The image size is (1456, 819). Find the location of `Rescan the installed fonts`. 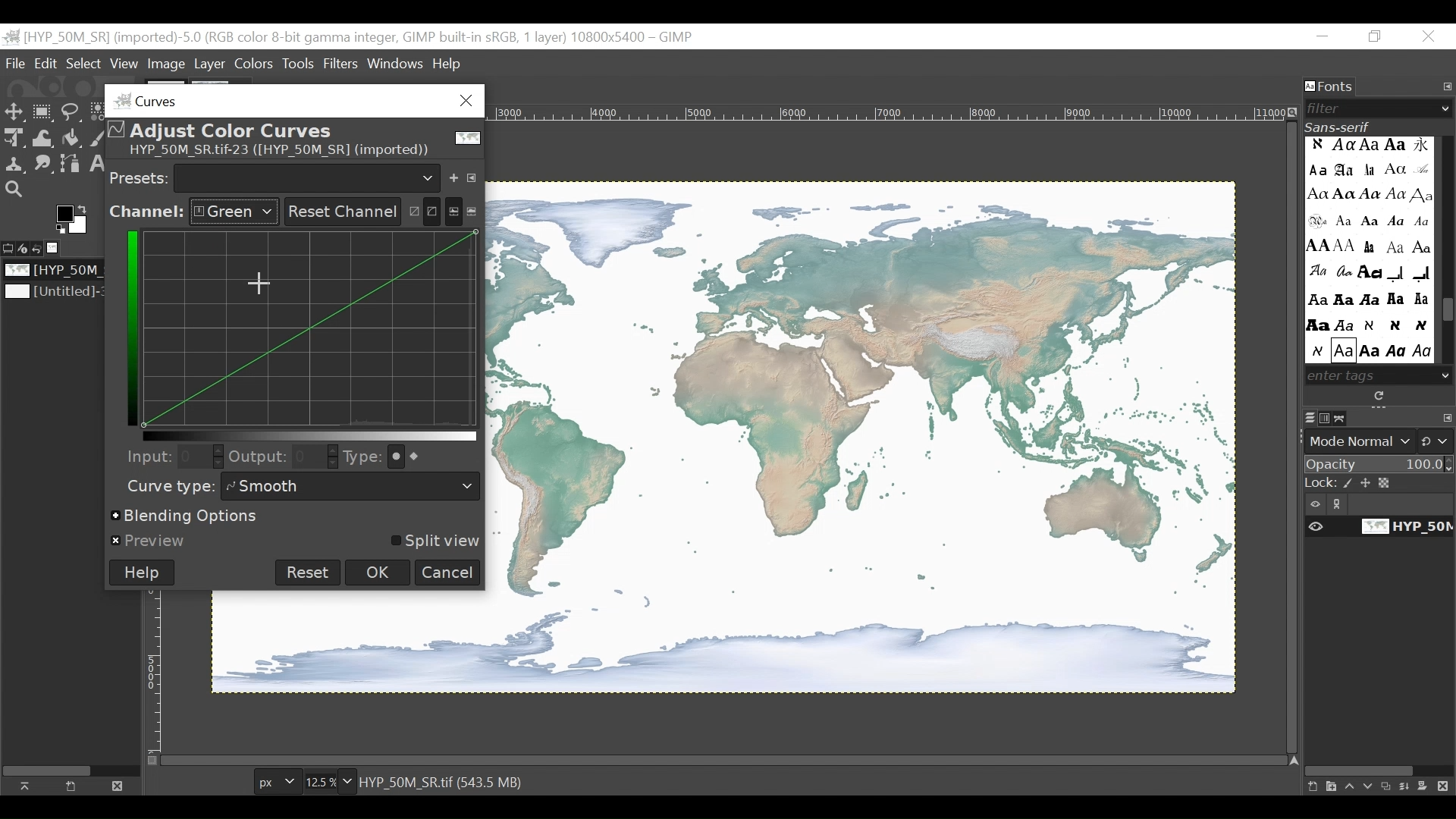

Rescan the installed fonts is located at coordinates (1381, 396).